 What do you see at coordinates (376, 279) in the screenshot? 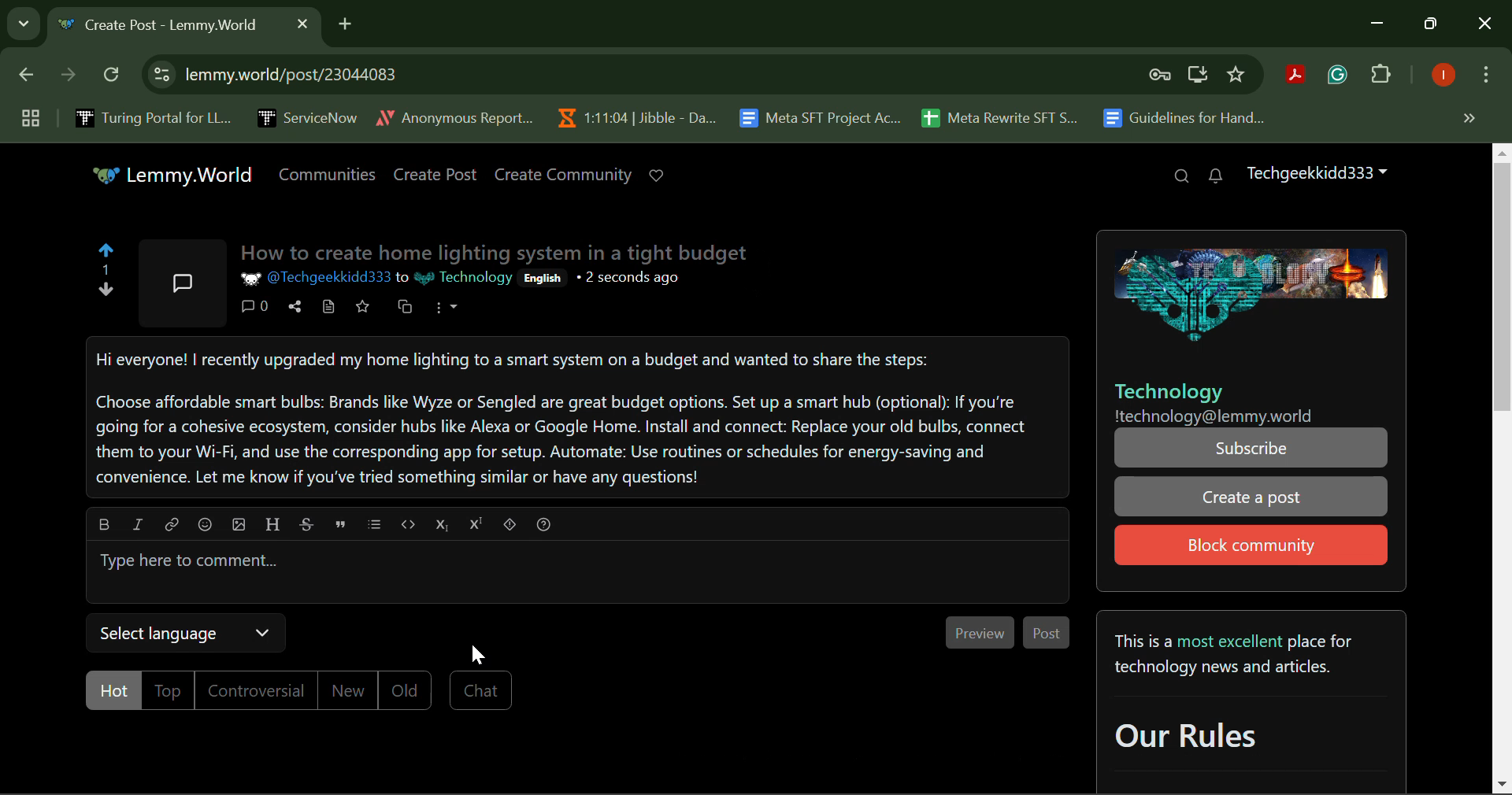
I see `Poster Username and Community` at bounding box center [376, 279].